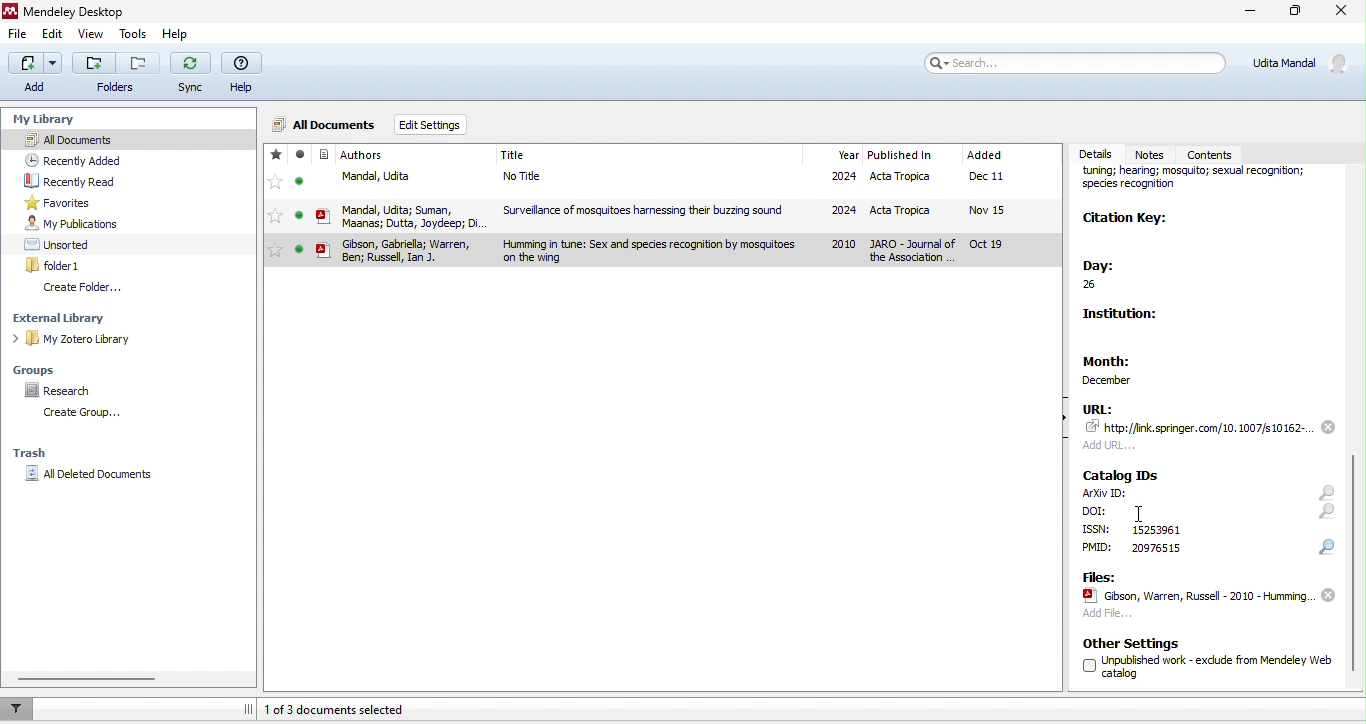 This screenshot has width=1366, height=724. What do you see at coordinates (1107, 493) in the screenshot?
I see `text` at bounding box center [1107, 493].